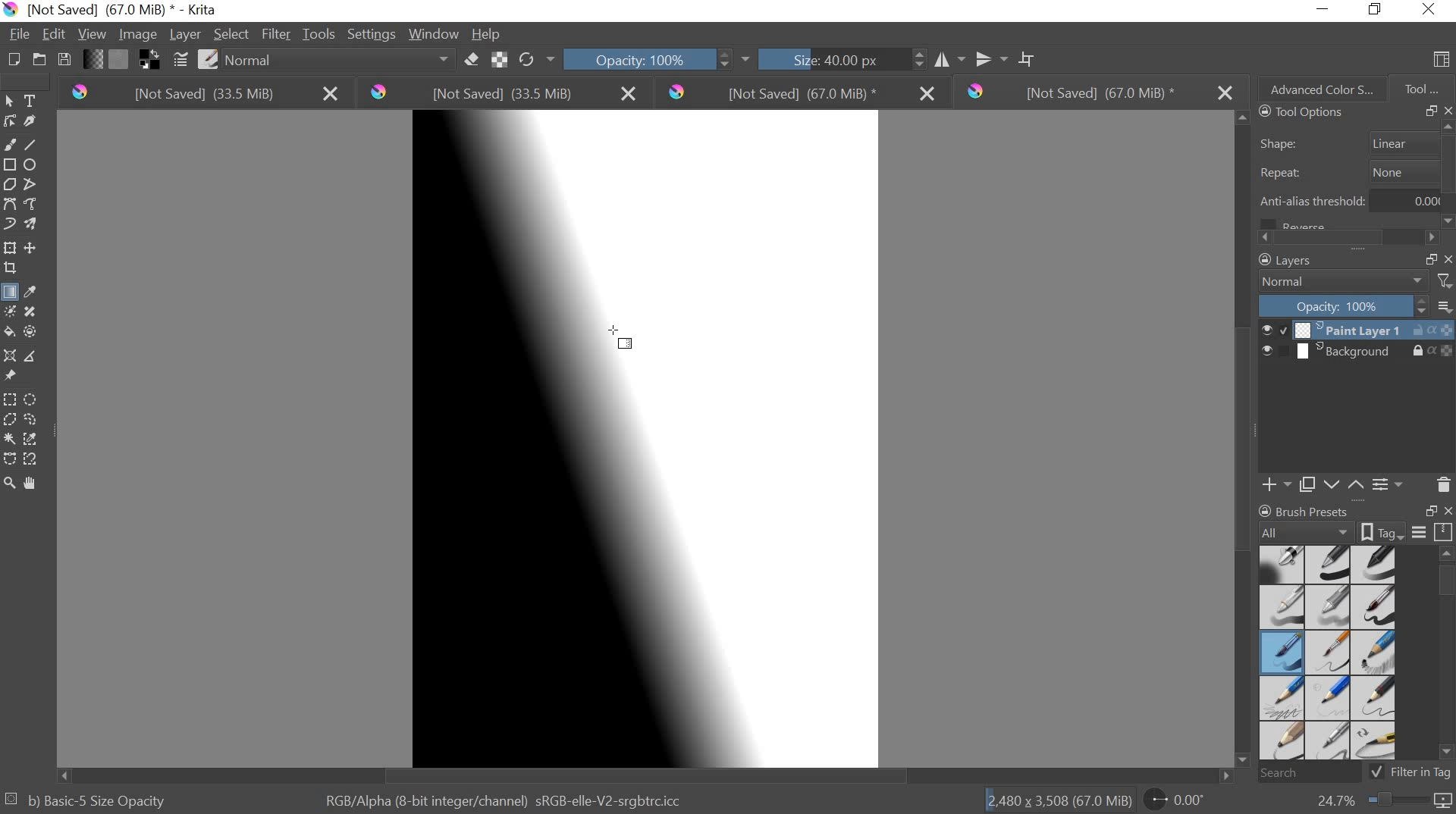  Describe the element at coordinates (1357, 353) in the screenshot. I see `BACKGROUND` at that location.